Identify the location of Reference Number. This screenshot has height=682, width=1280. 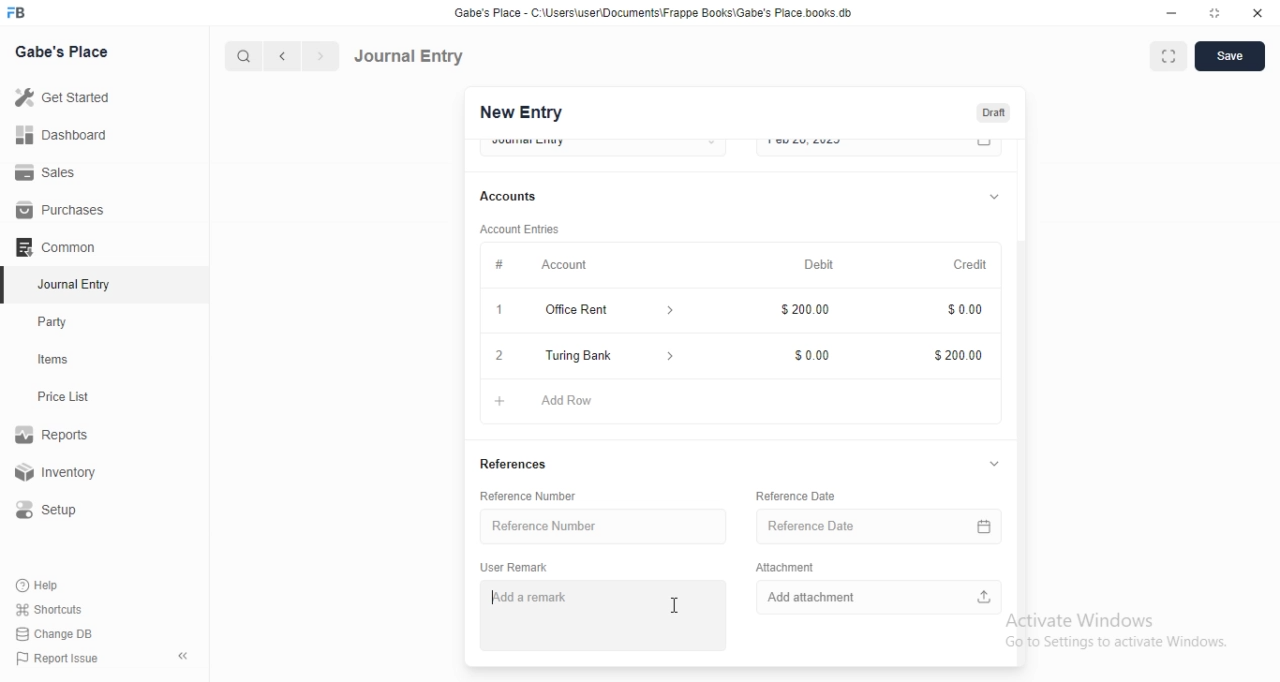
(541, 496).